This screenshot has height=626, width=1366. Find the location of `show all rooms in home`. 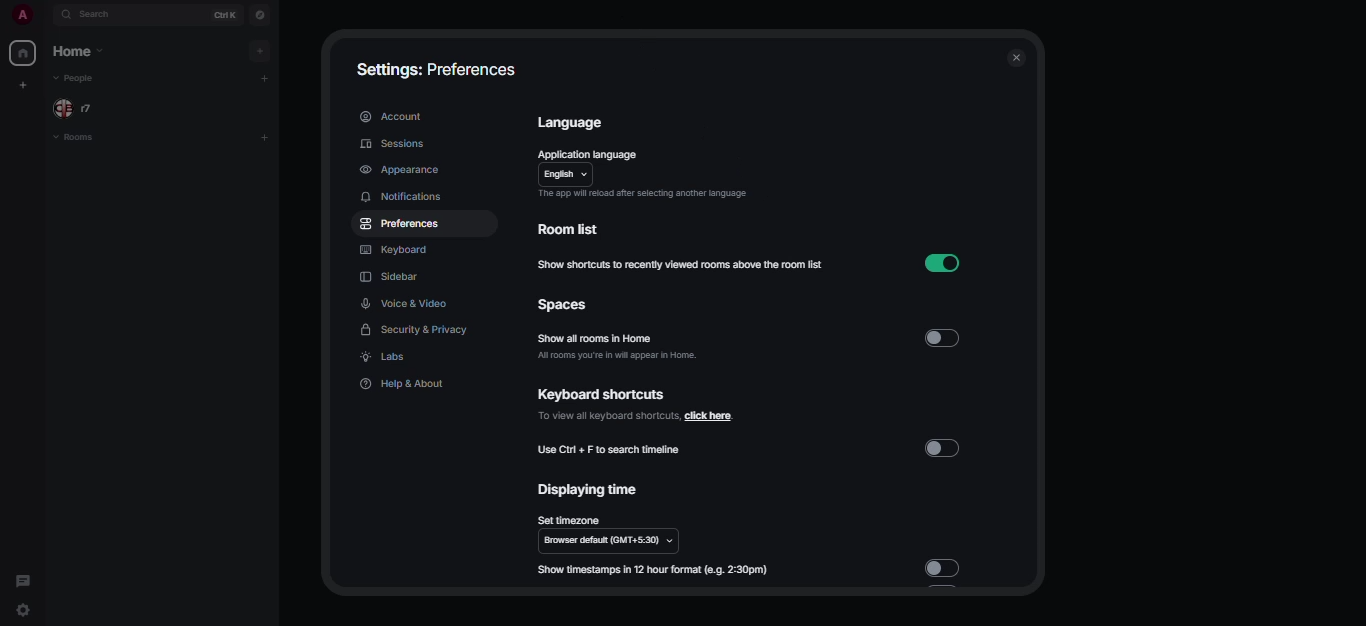

show all rooms in home is located at coordinates (596, 338).